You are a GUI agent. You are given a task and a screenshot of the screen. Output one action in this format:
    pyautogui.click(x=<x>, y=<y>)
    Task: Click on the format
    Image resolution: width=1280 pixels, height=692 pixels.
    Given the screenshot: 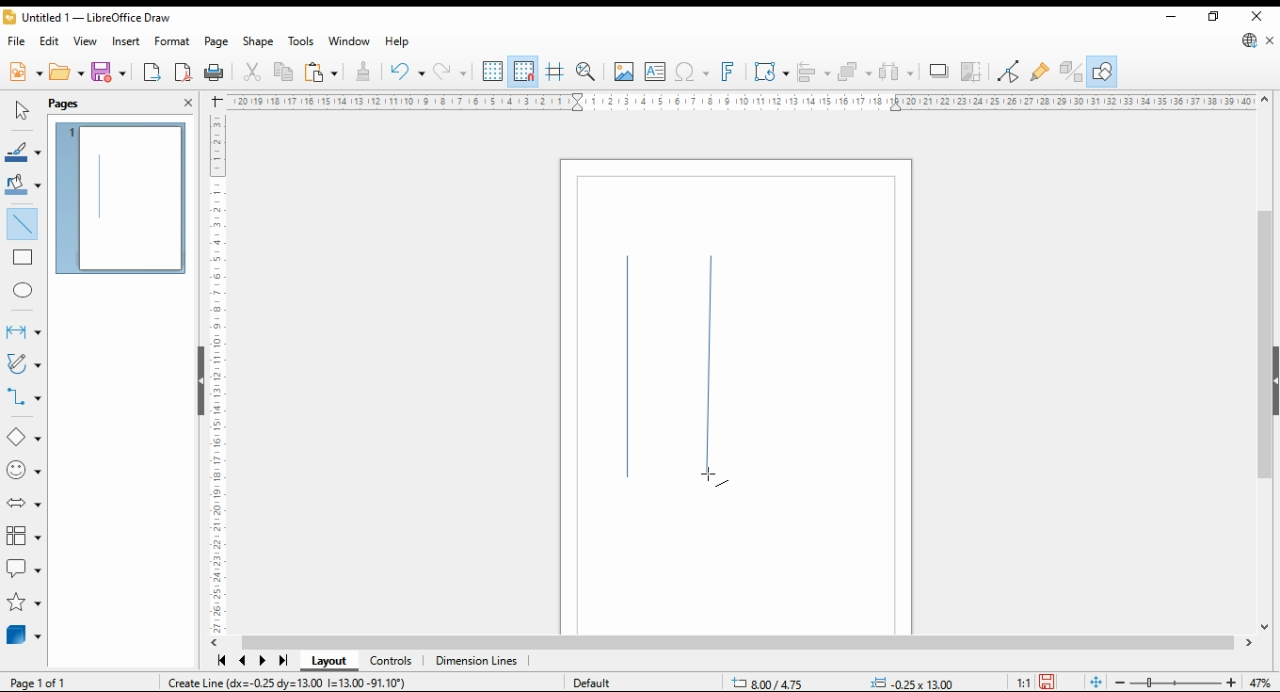 What is the action you would take?
    pyautogui.click(x=172, y=40)
    